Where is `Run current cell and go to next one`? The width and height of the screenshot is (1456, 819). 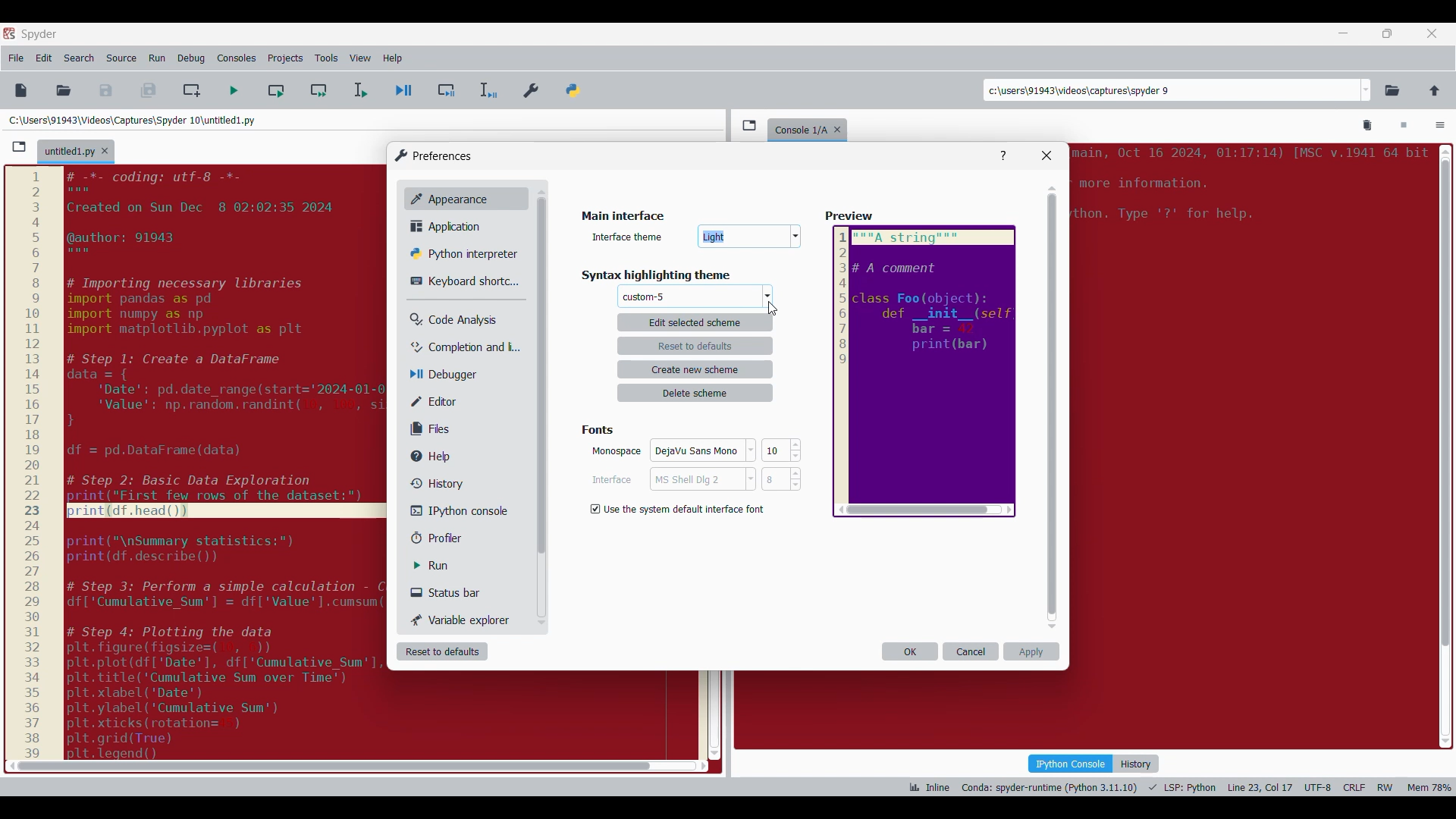 Run current cell and go to next one is located at coordinates (318, 90).